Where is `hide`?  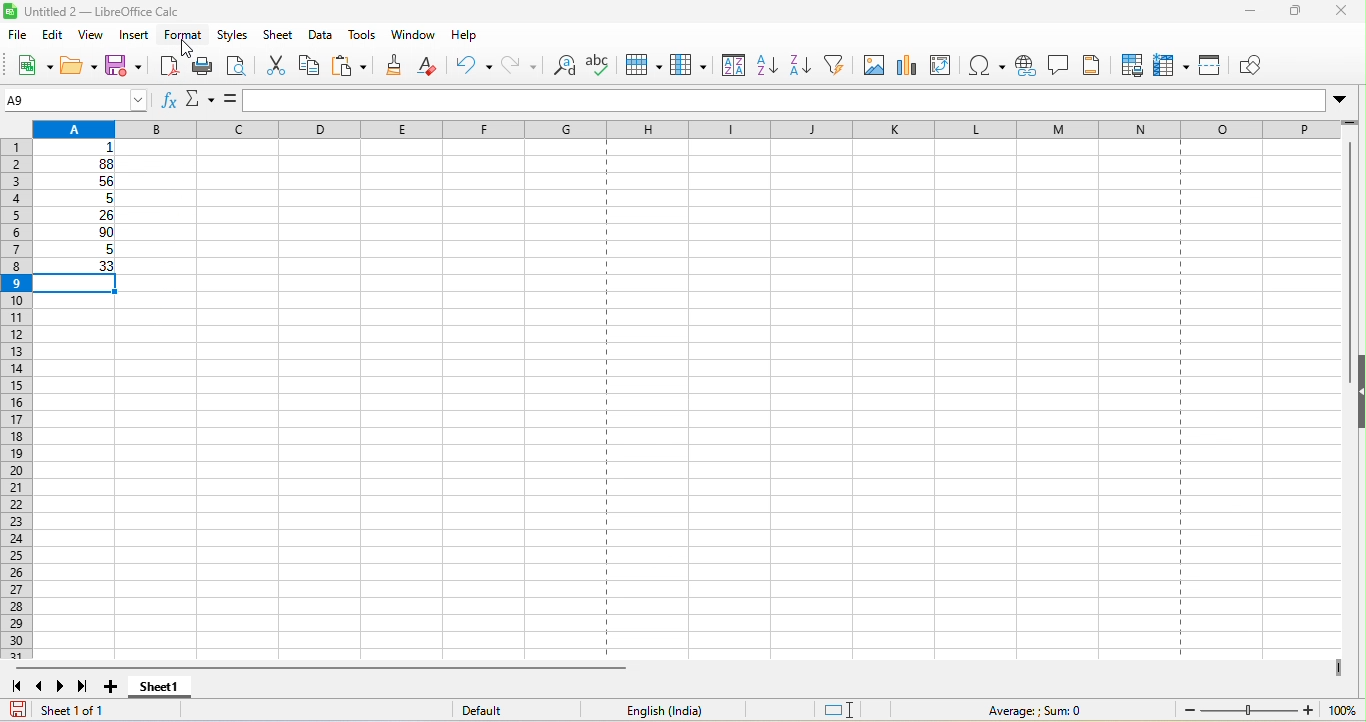 hide is located at coordinates (1357, 393).